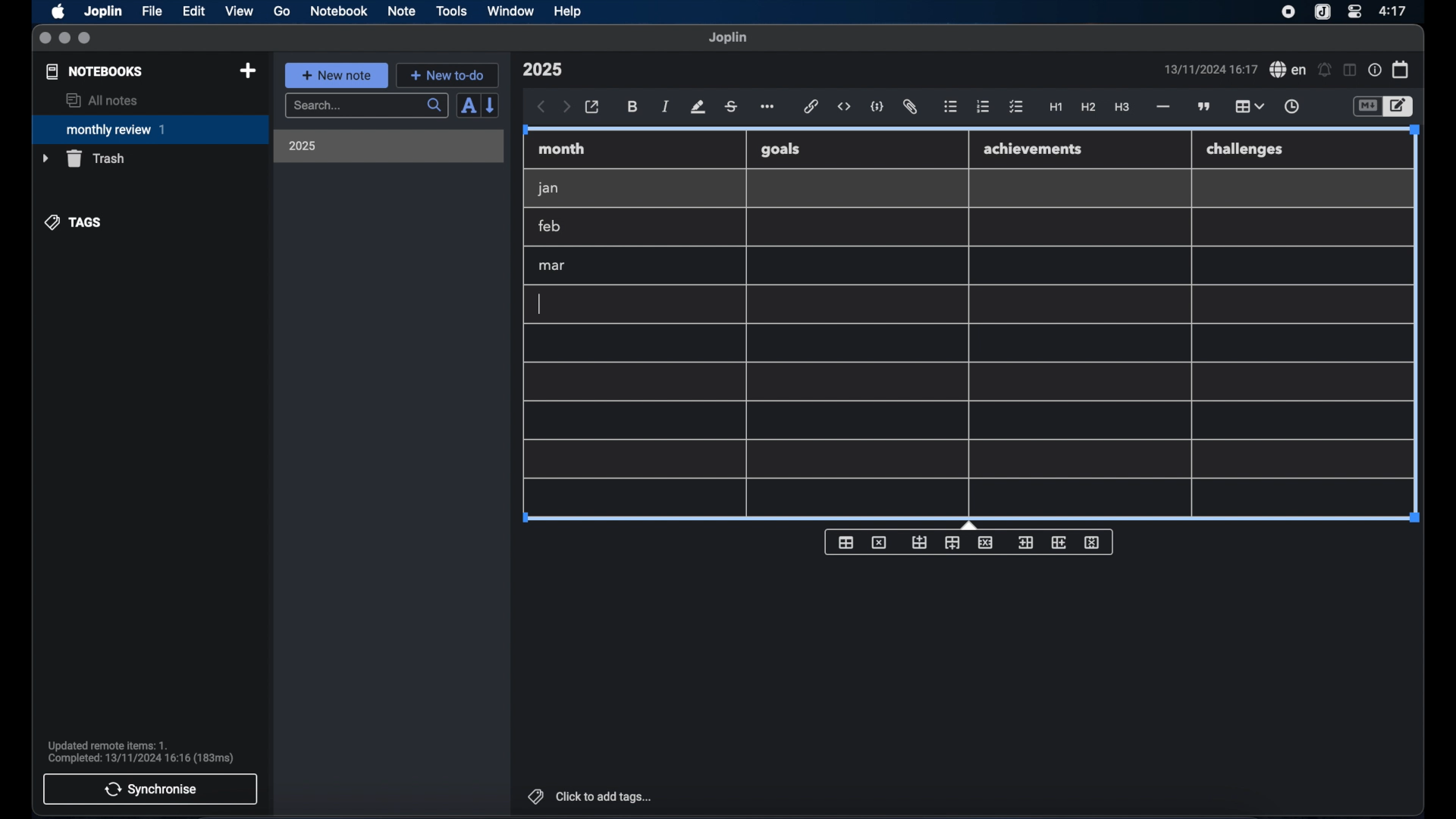 Image resolution: width=1456 pixels, height=819 pixels. I want to click on insert row before, so click(920, 543).